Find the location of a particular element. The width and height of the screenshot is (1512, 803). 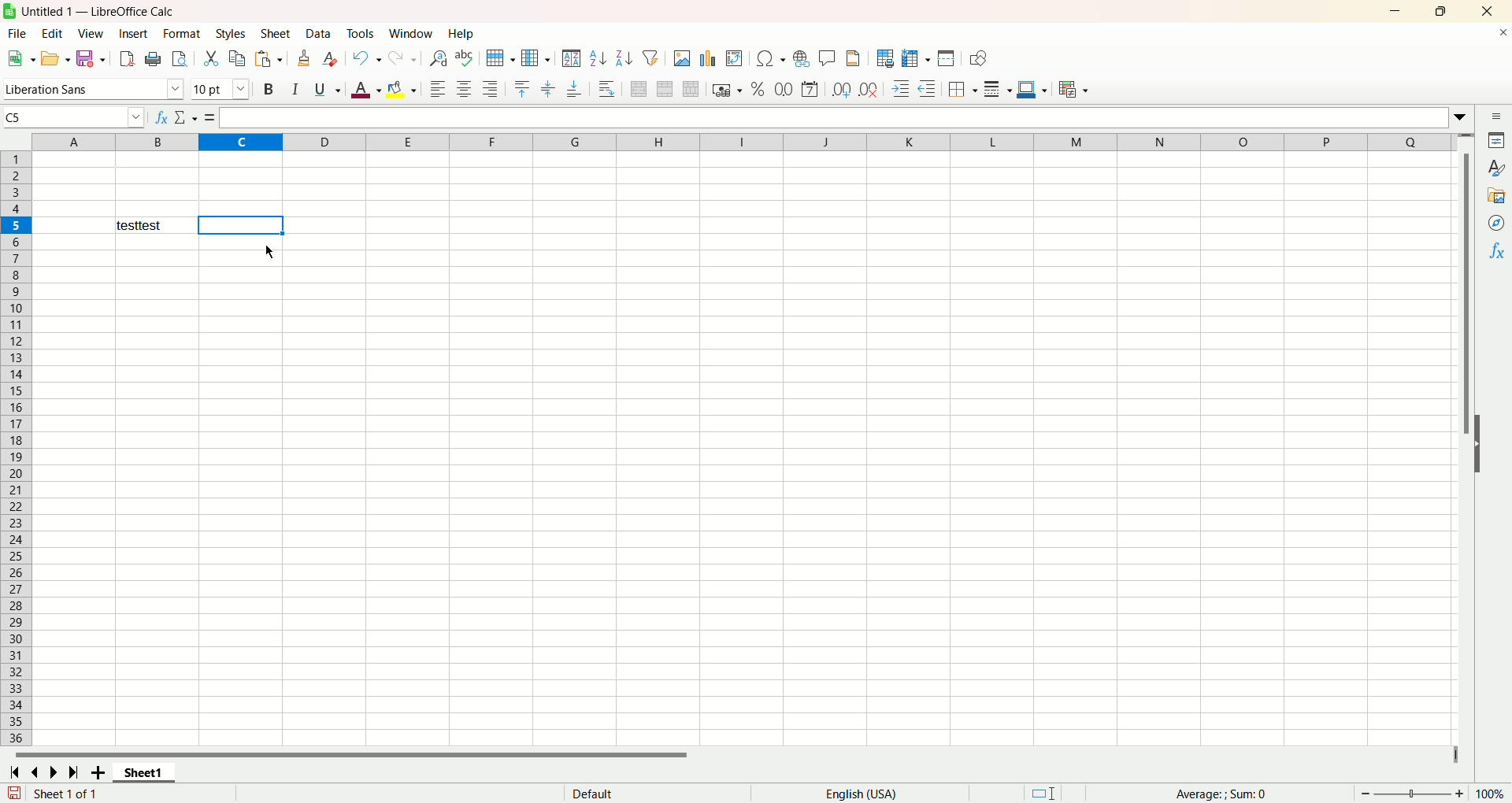

column is located at coordinates (535, 57).